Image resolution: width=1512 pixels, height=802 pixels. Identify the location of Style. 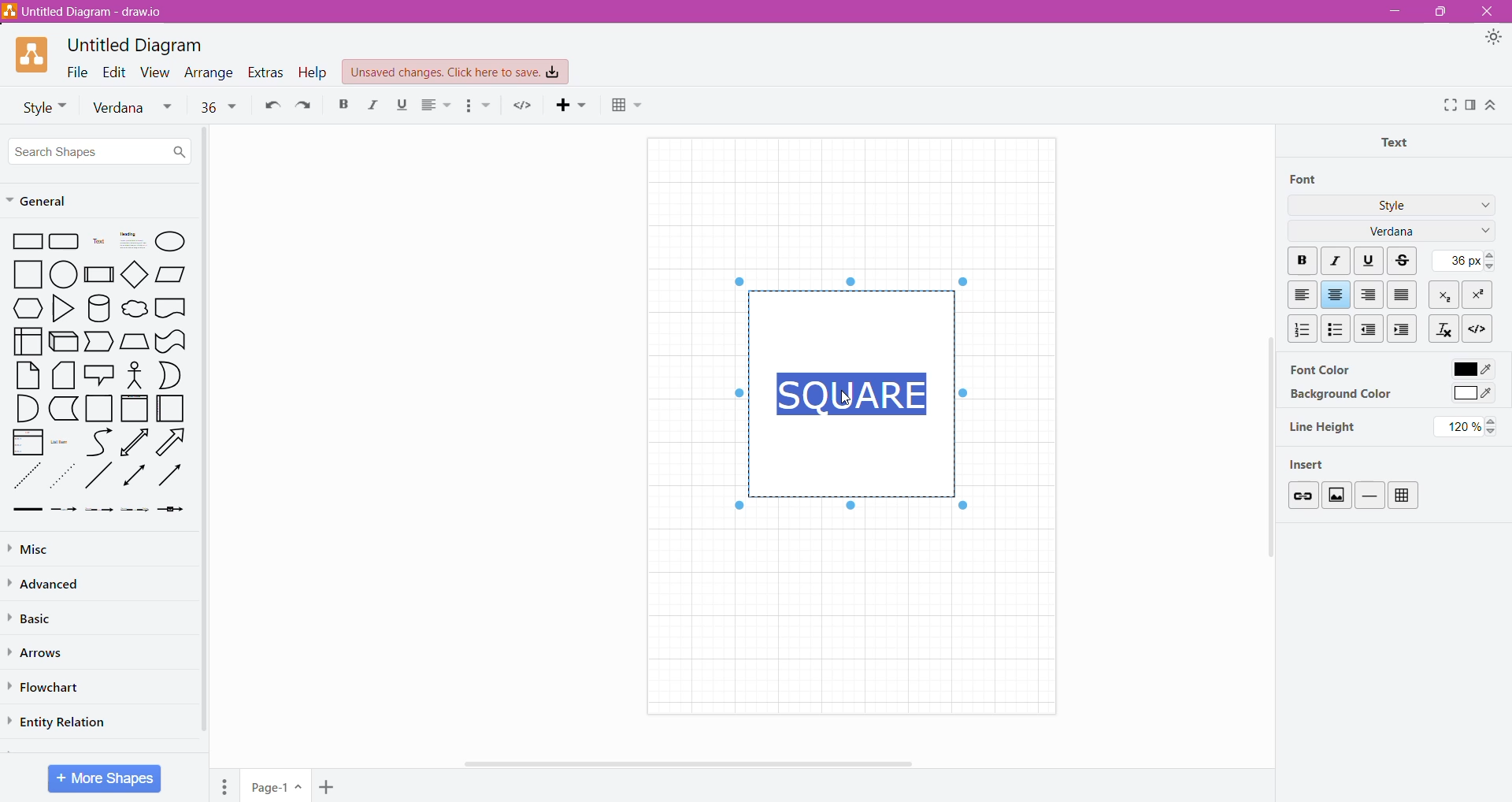
(1392, 204).